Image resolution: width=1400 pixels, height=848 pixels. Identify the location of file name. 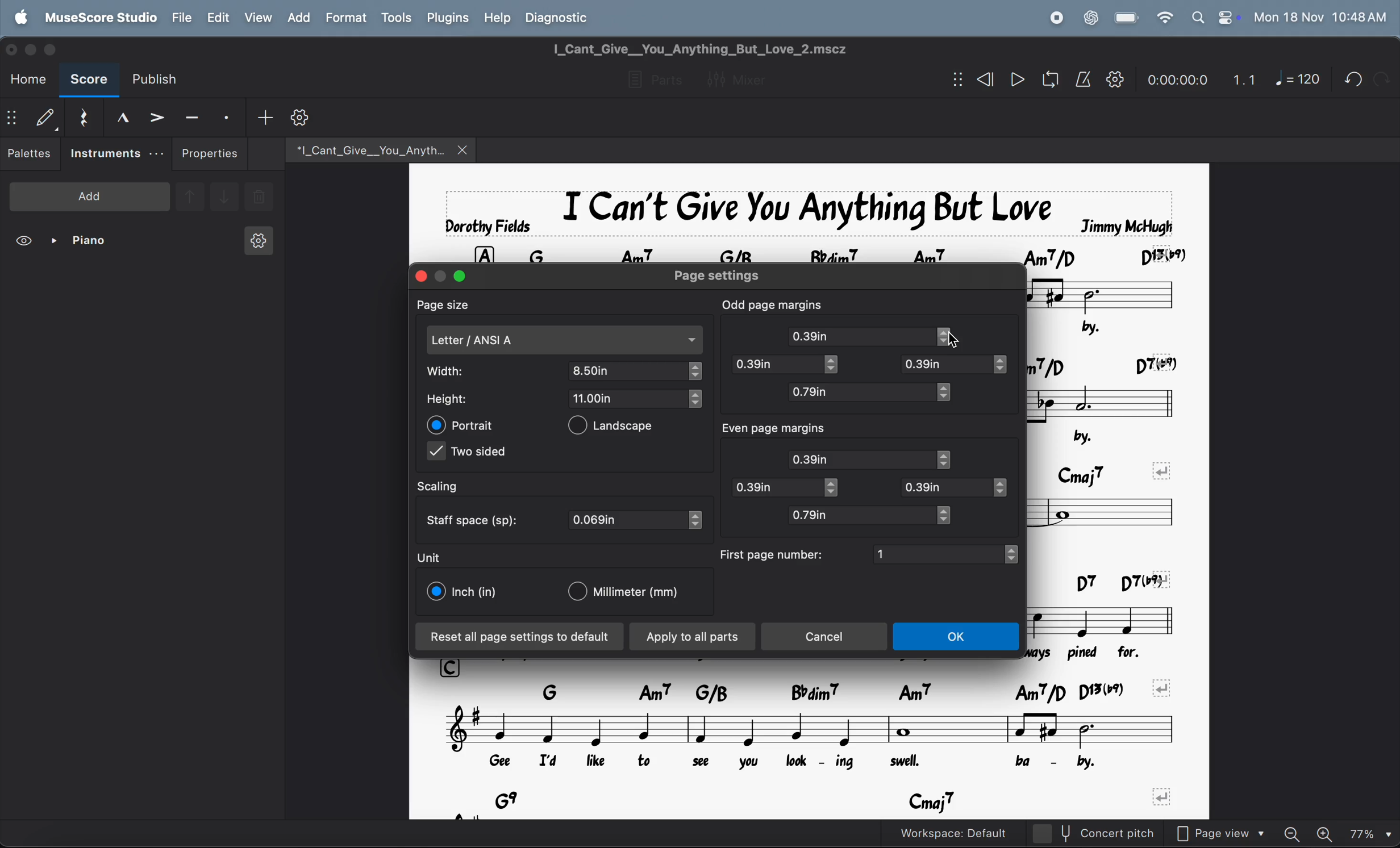
(363, 148).